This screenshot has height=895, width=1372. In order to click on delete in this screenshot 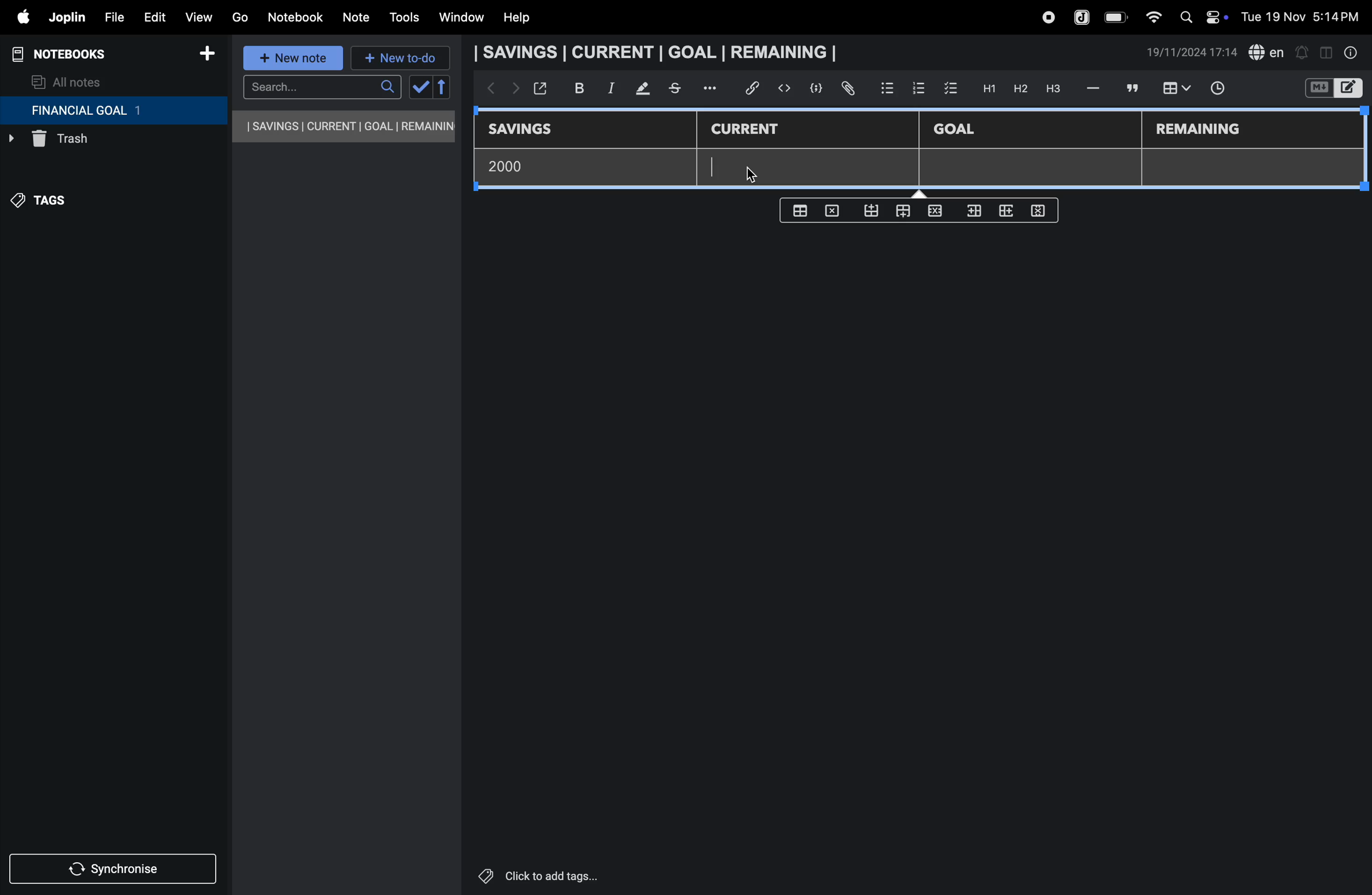, I will do `click(835, 210)`.